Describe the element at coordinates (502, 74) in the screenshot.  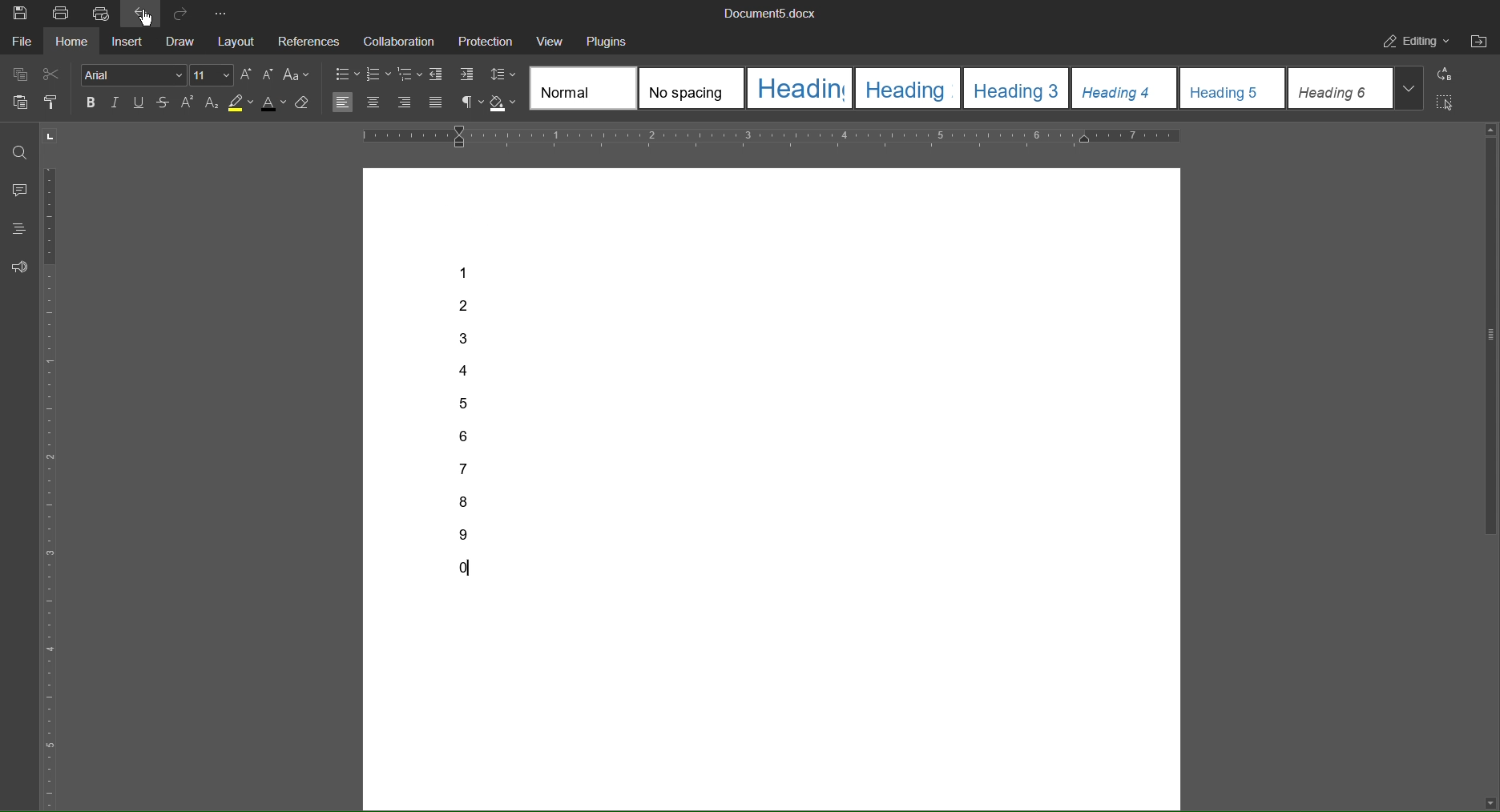
I see `Line Spacing` at that location.